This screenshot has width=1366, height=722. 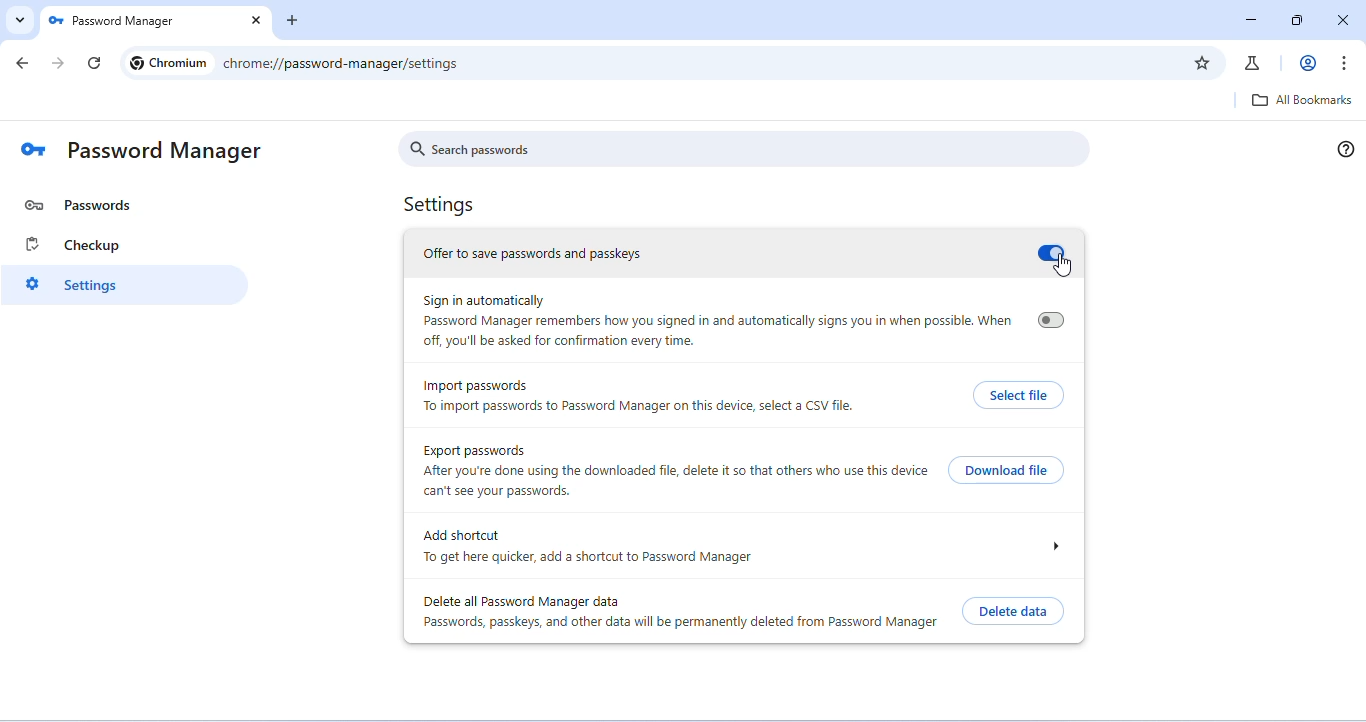 I want to click on add shortcut, so click(x=464, y=534).